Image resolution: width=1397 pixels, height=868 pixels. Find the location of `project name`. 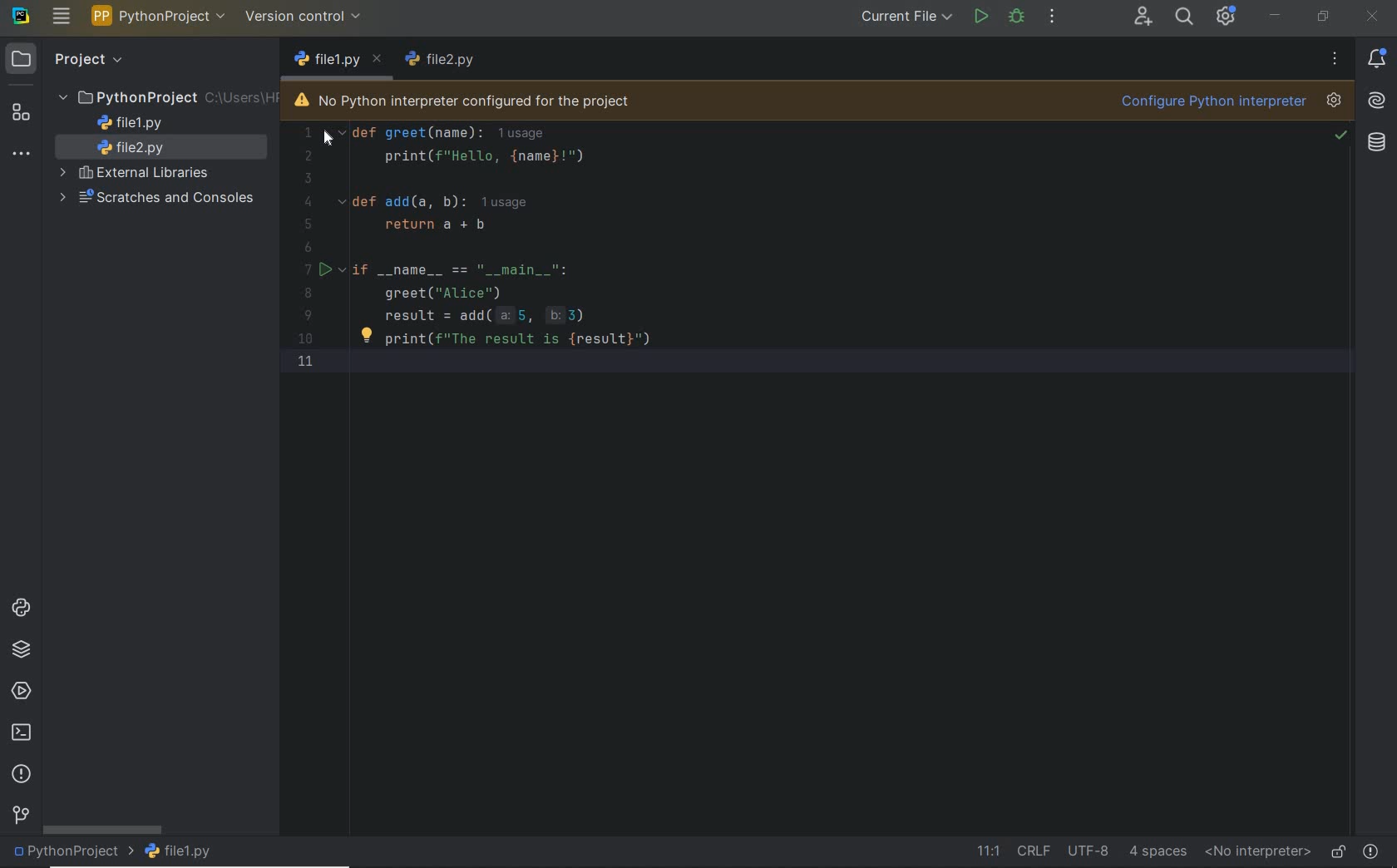

project name is located at coordinates (71, 854).